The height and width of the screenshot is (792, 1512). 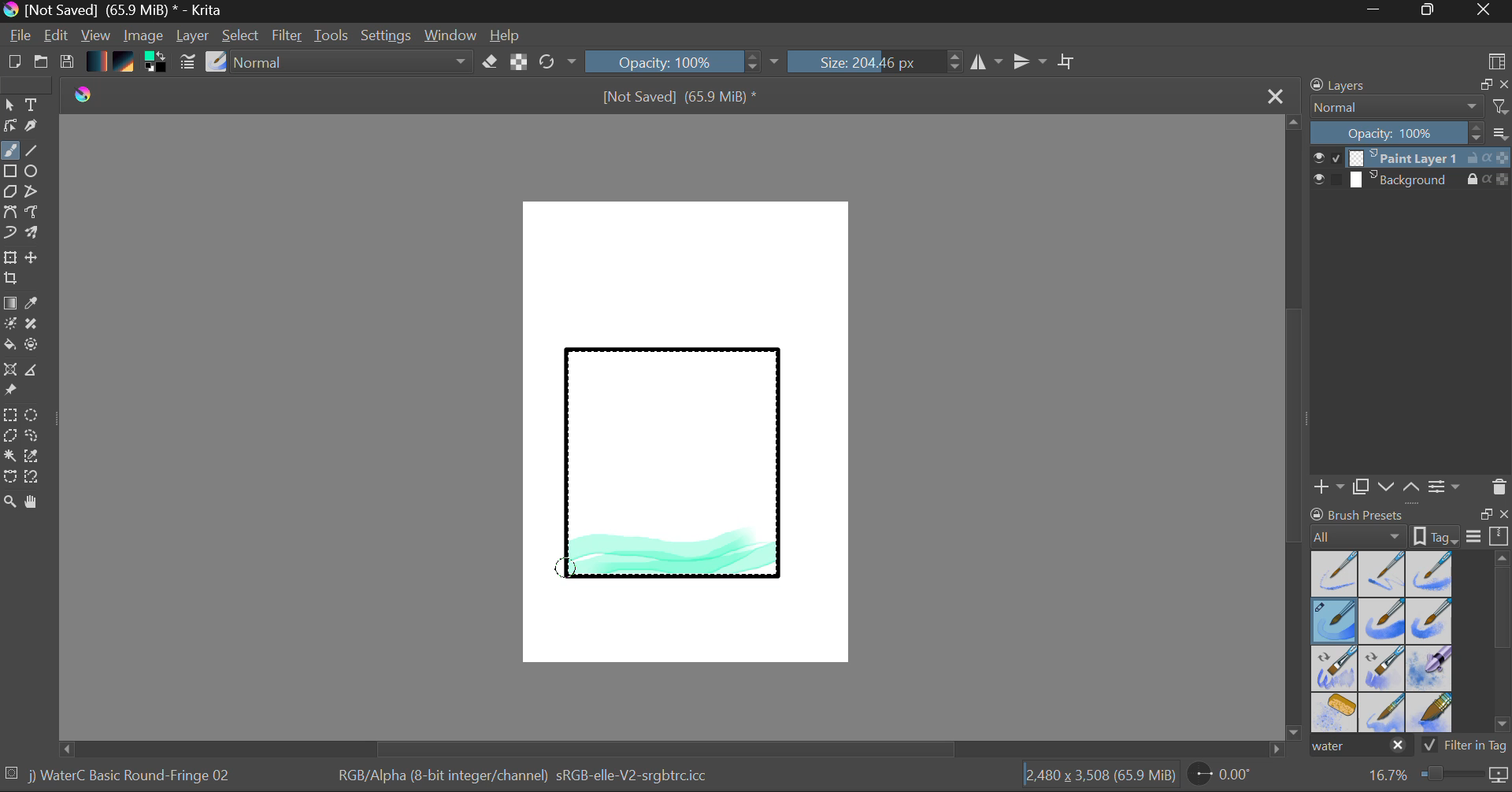 What do you see at coordinates (34, 172) in the screenshot?
I see `Elipses` at bounding box center [34, 172].